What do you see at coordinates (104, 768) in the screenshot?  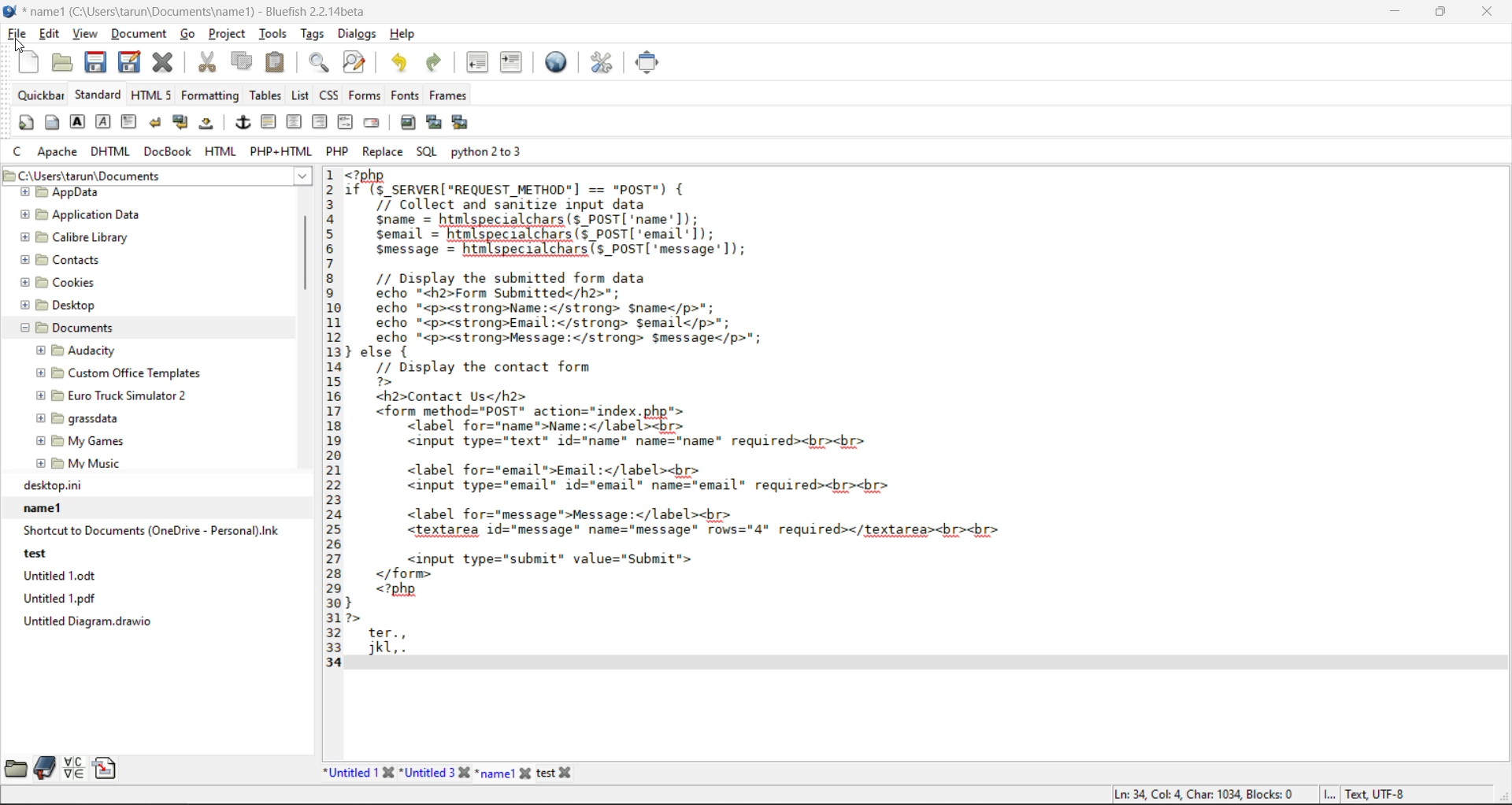 I see `snippets` at bounding box center [104, 768].